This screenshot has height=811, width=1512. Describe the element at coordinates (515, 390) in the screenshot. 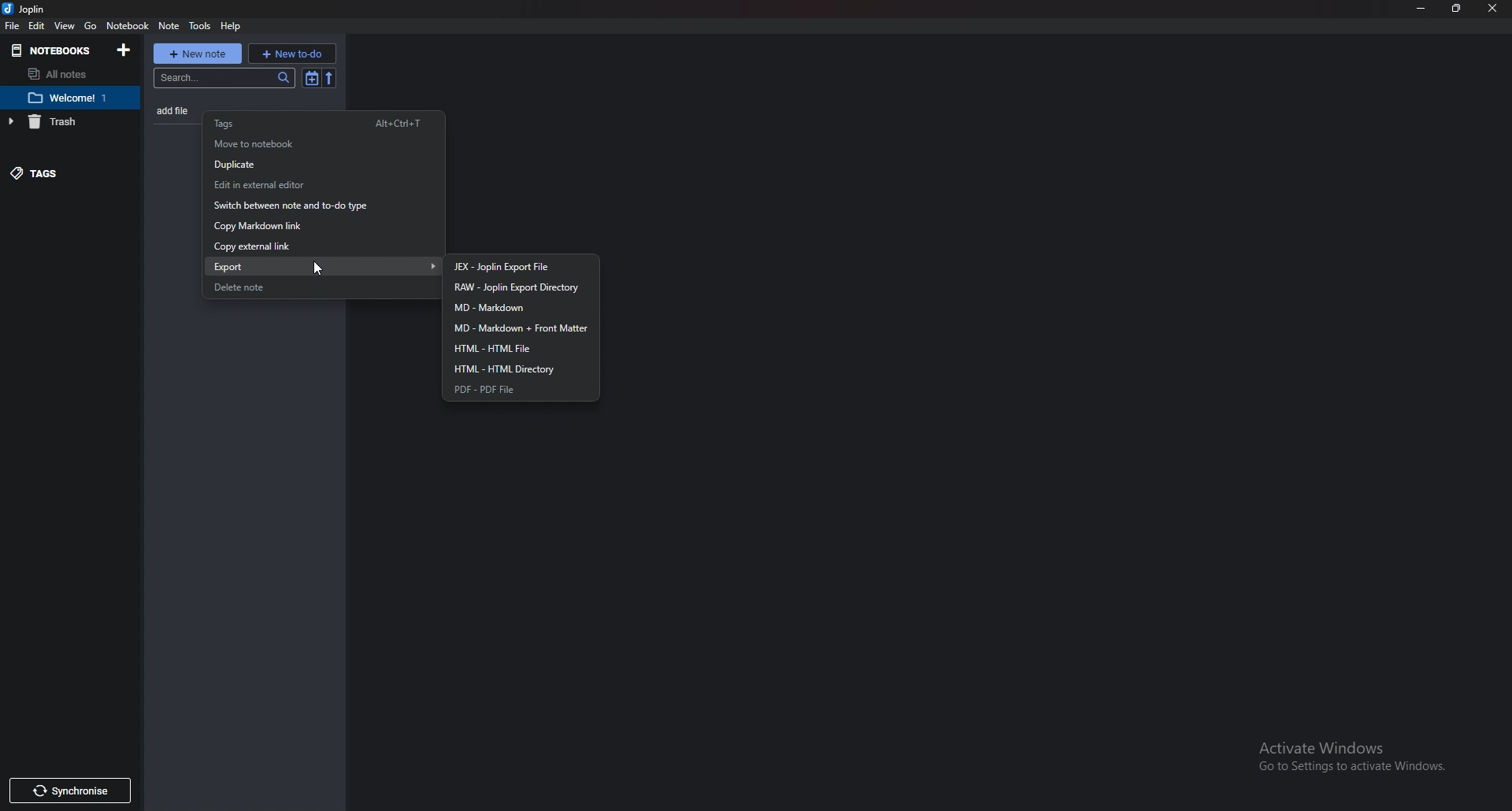

I see `P D F file` at that location.